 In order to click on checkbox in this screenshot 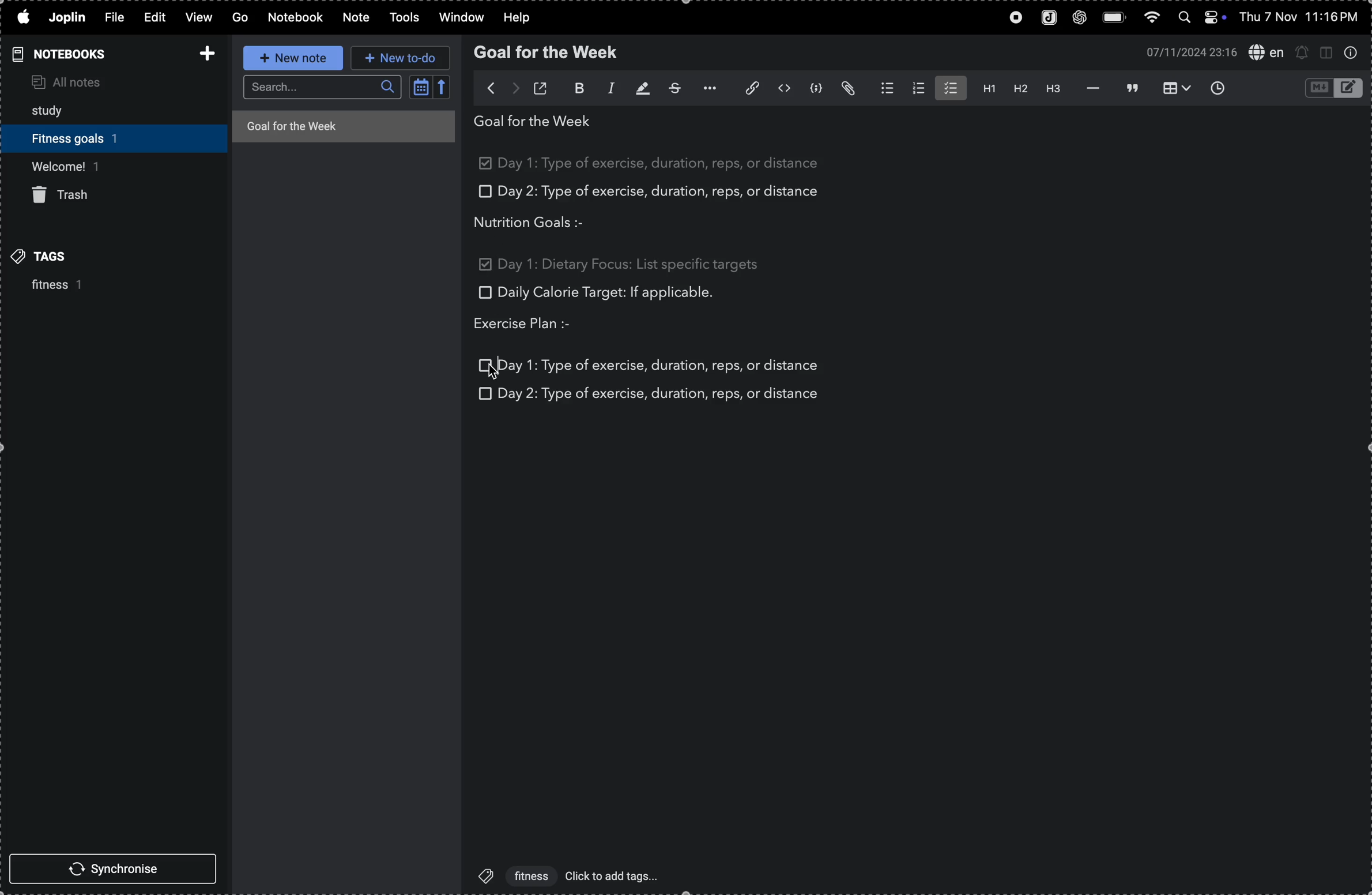, I will do `click(483, 192)`.